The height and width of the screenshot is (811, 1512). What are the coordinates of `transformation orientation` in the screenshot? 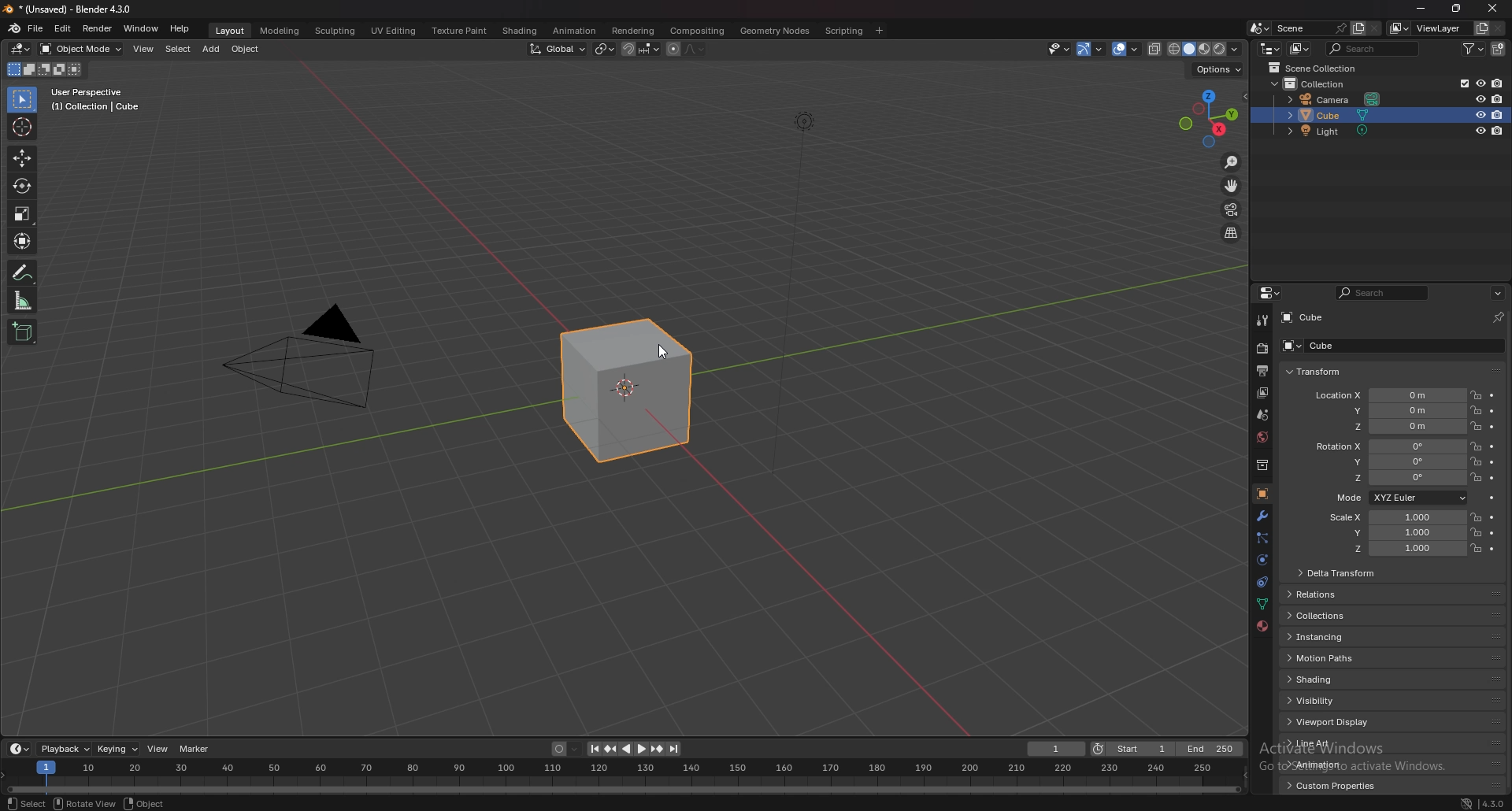 It's located at (558, 49).